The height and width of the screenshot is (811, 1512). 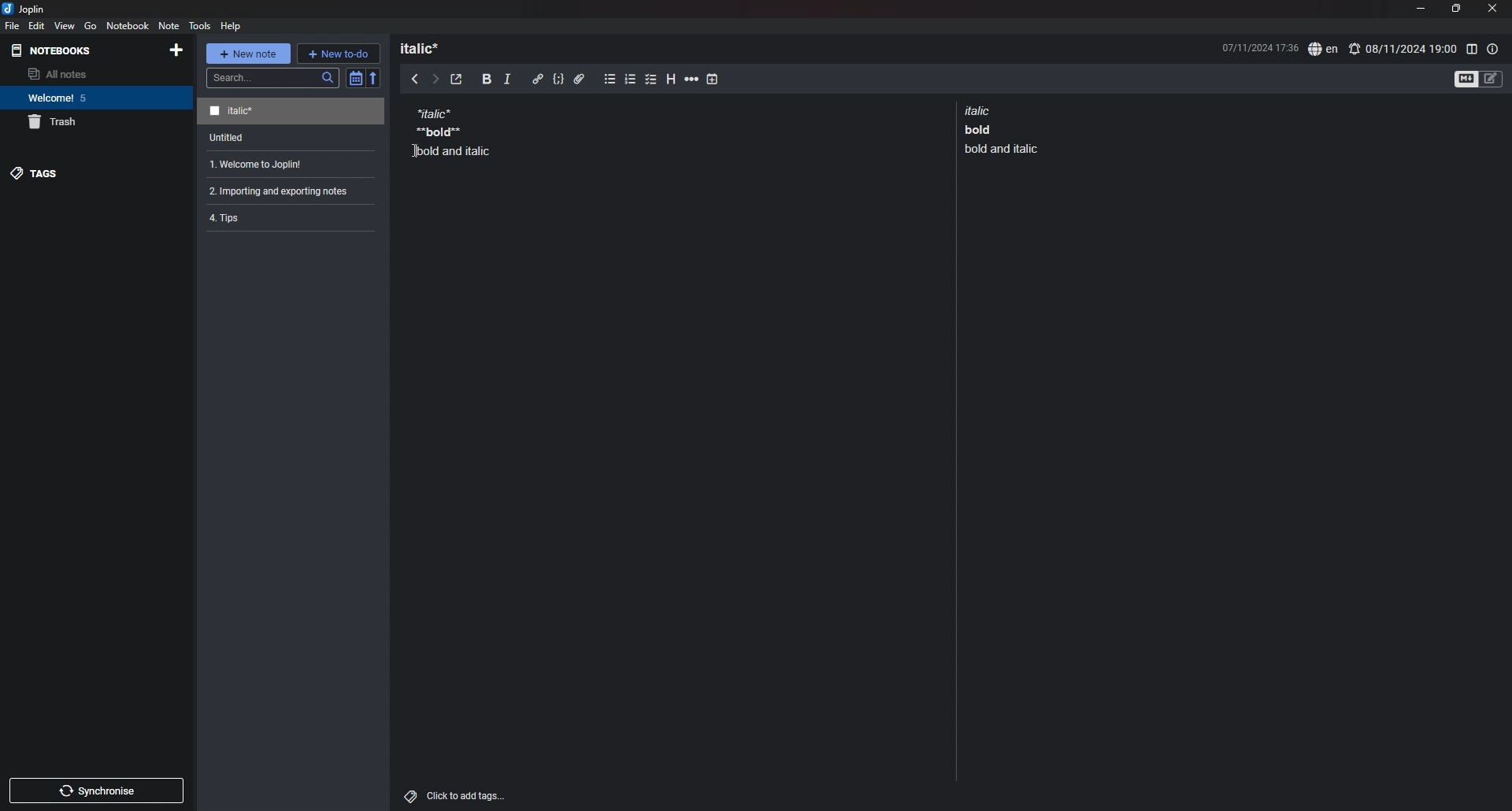 What do you see at coordinates (273, 78) in the screenshot?
I see `search bar` at bounding box center [273, 78].